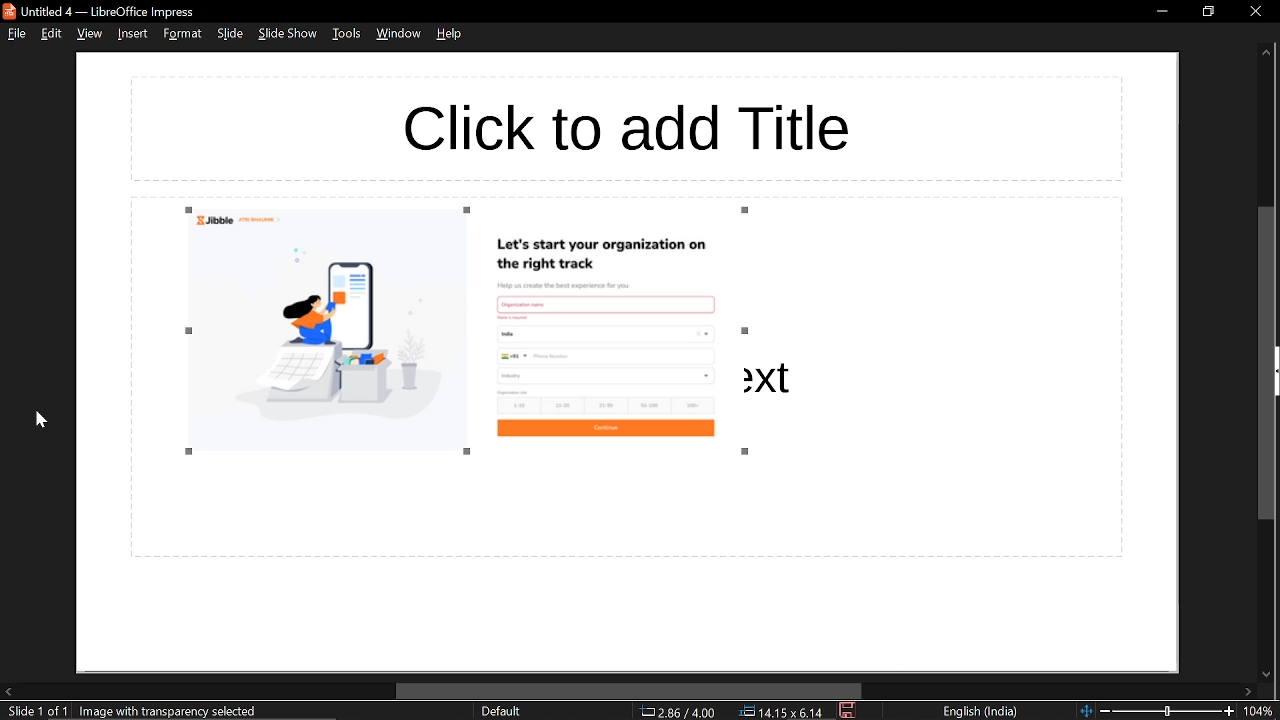 This screenshot has width=1280, height=720. I want to click on current zoom, so click(1262, 712).